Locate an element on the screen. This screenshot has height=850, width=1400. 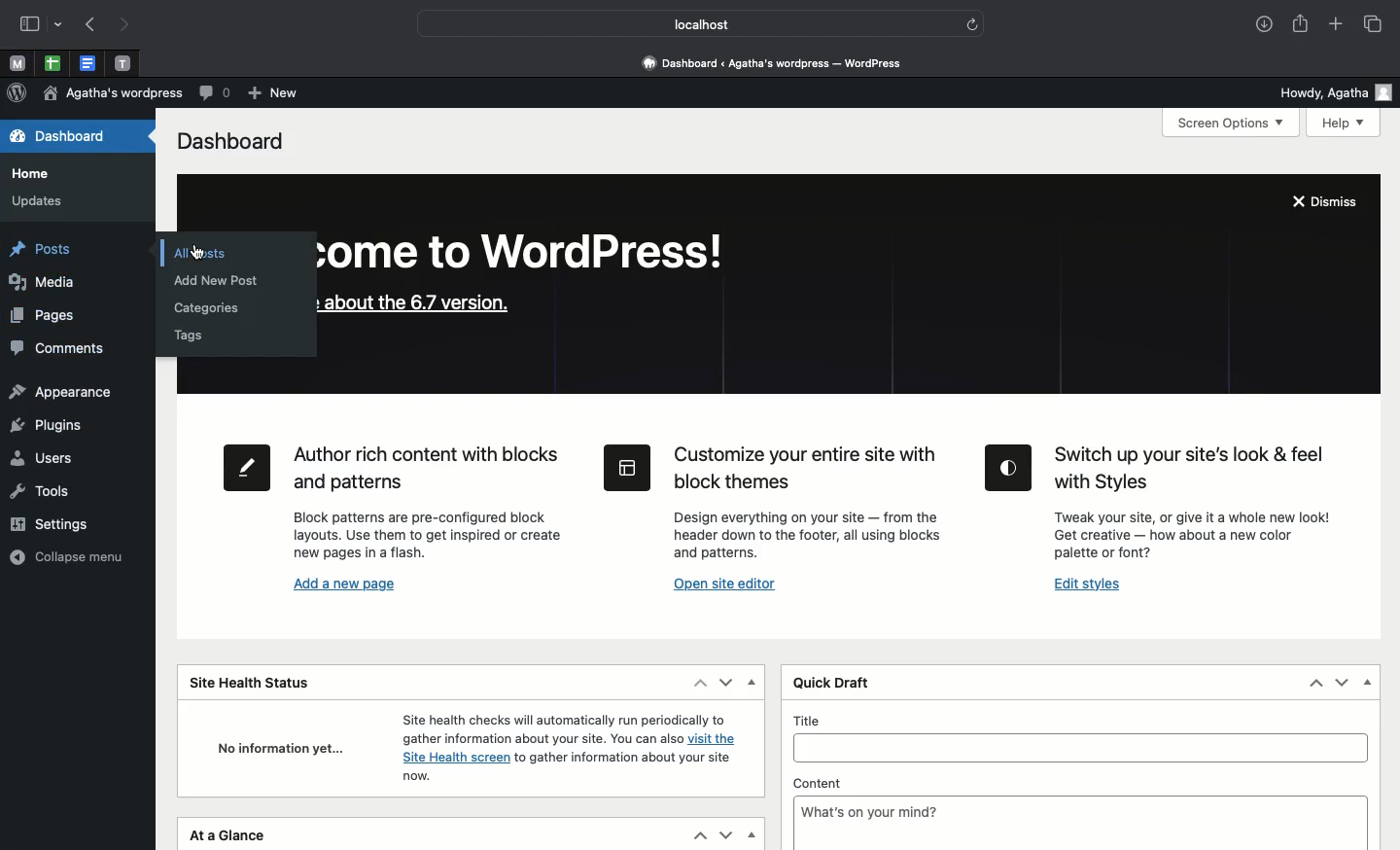
Help is located at coordinates (1345, 124).